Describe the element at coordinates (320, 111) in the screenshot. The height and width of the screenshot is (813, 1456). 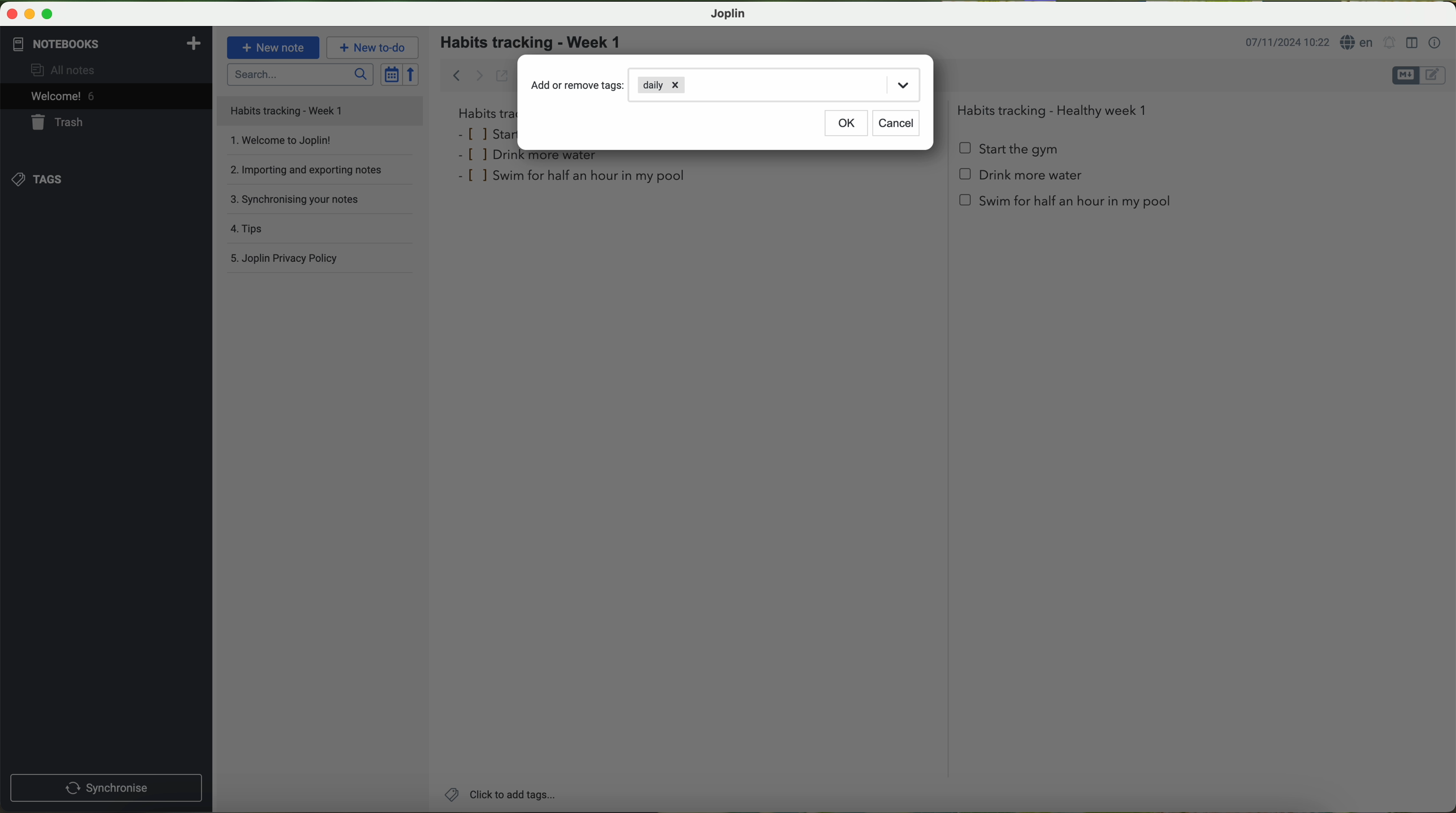
I see `file title` at that location.